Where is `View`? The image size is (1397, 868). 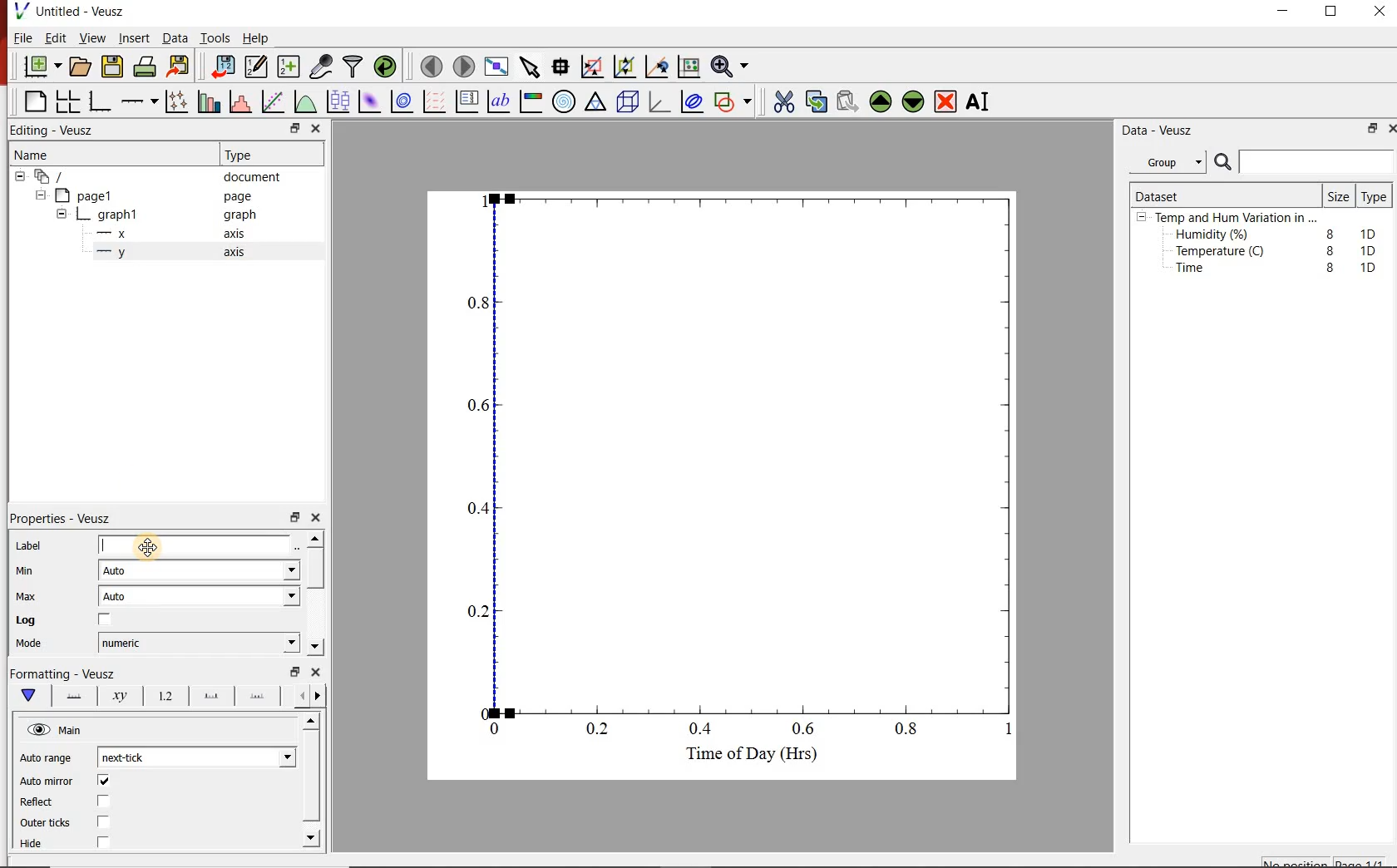 View is located at coordinates (92, 38).